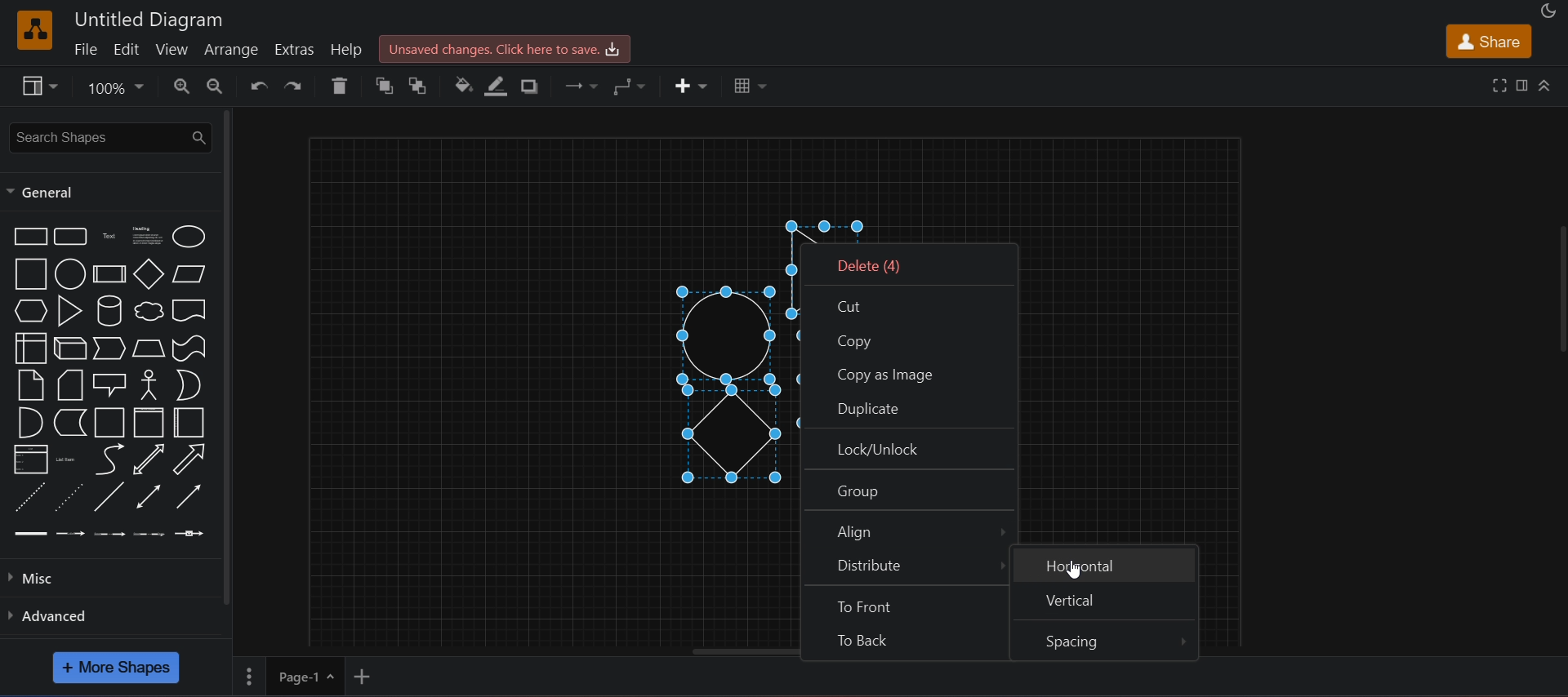 This screenshot has width=1568, height=697. Describe the element at coordinates (374, 675) in the screenshot. I see `add new page` at that location.